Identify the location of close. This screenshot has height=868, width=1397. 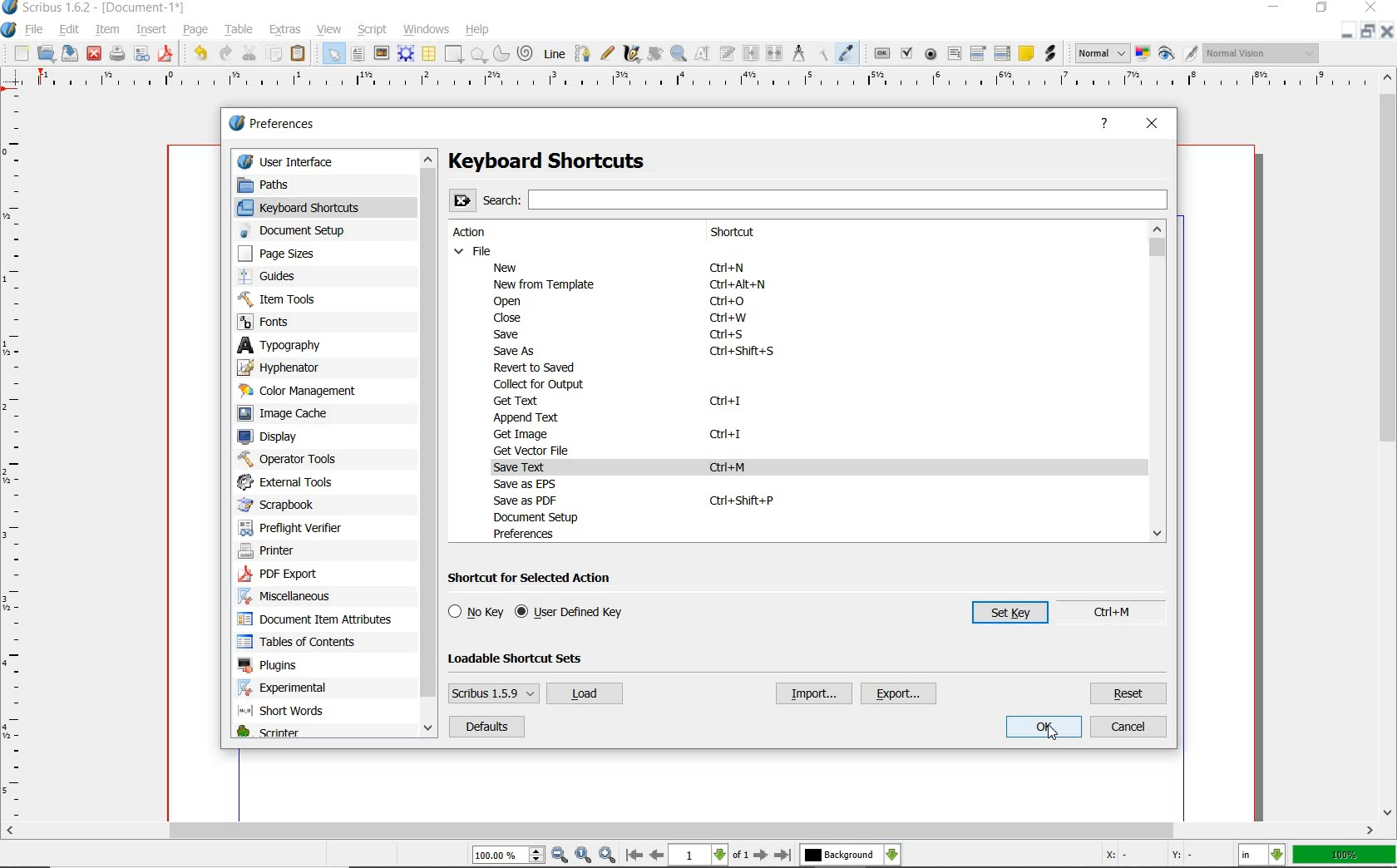
(504, 318).